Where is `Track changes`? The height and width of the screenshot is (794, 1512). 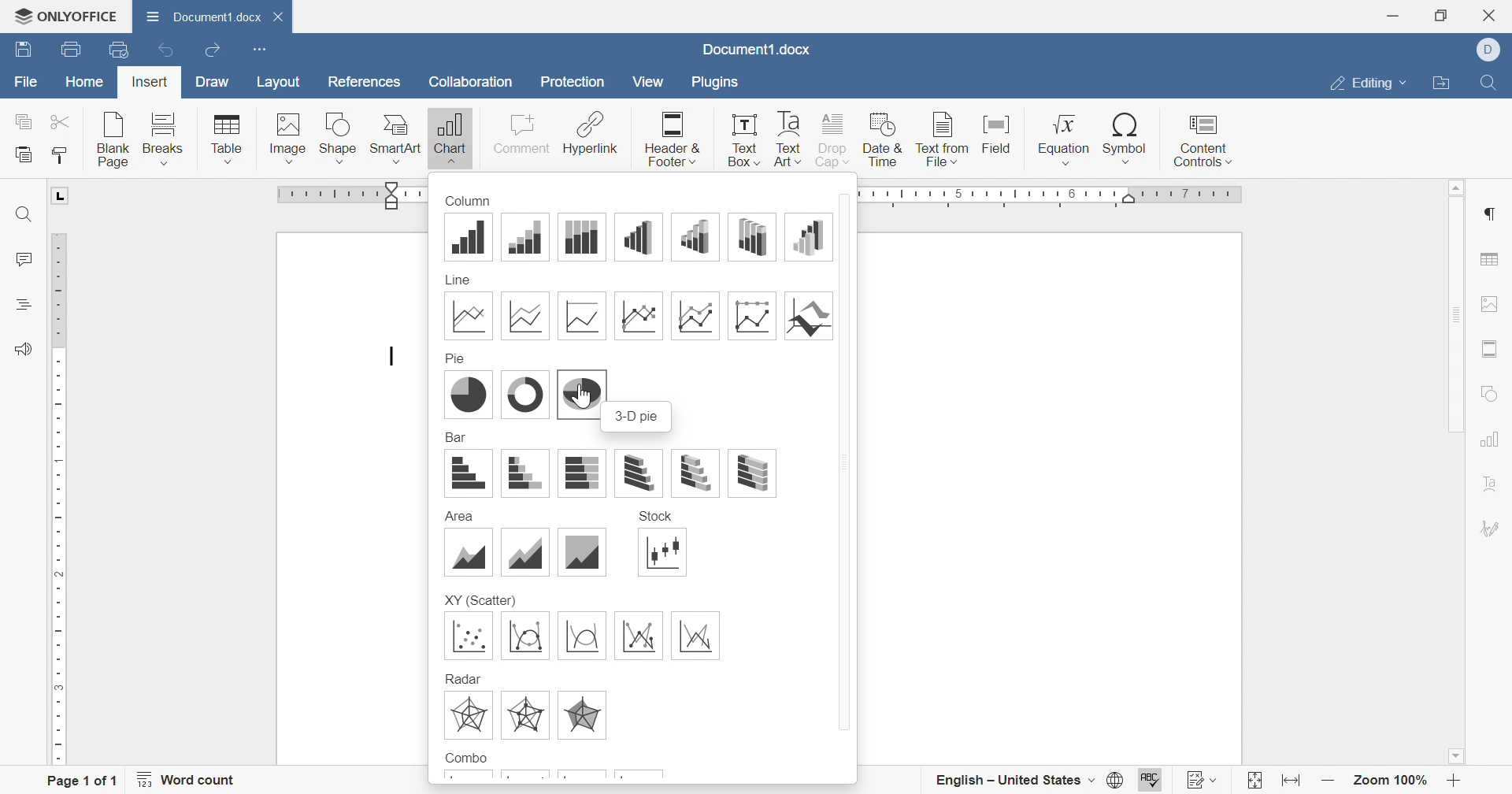
Track changes is located at coordinates (1191, 779).